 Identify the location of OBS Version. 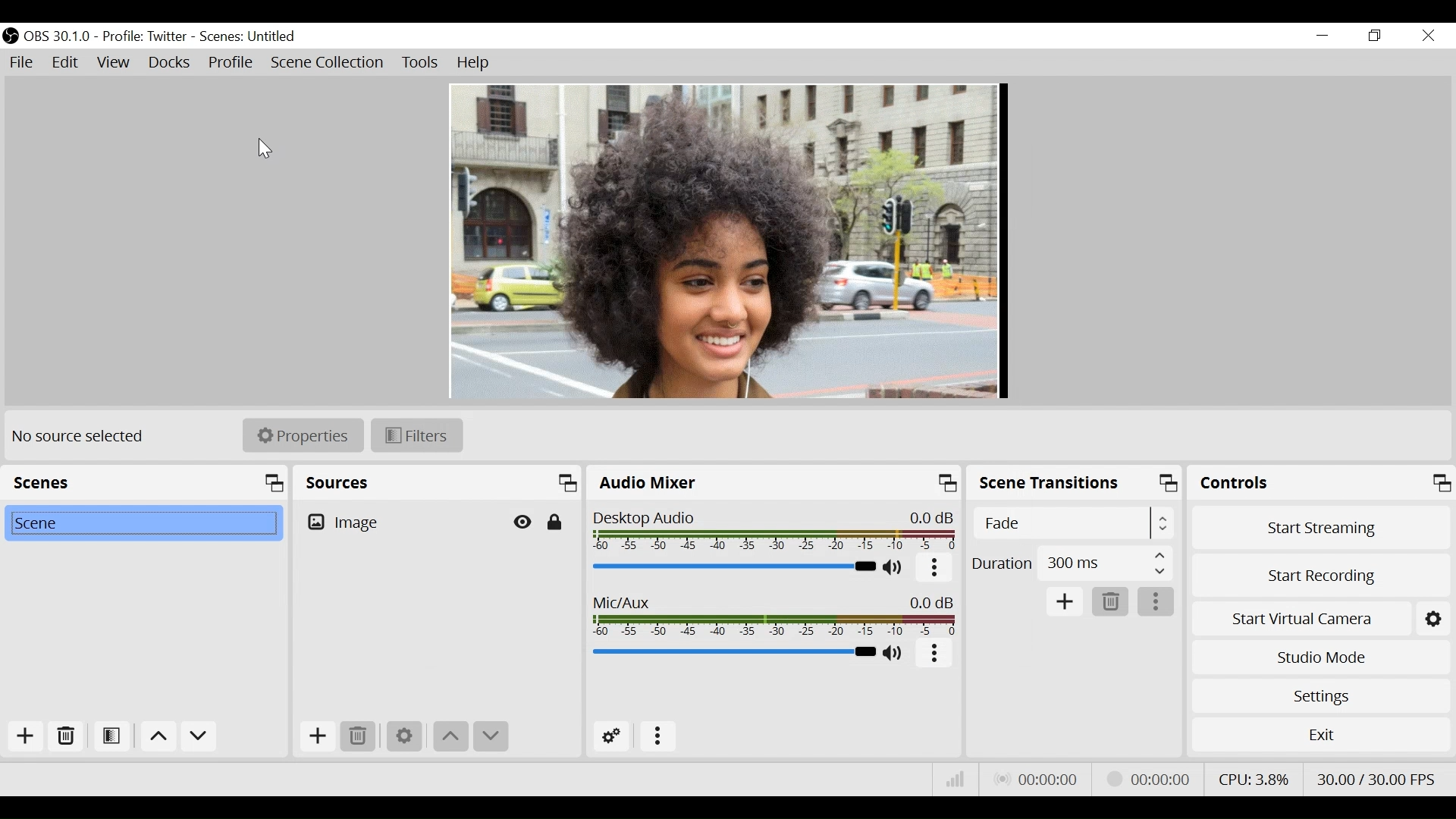
(58, 36).